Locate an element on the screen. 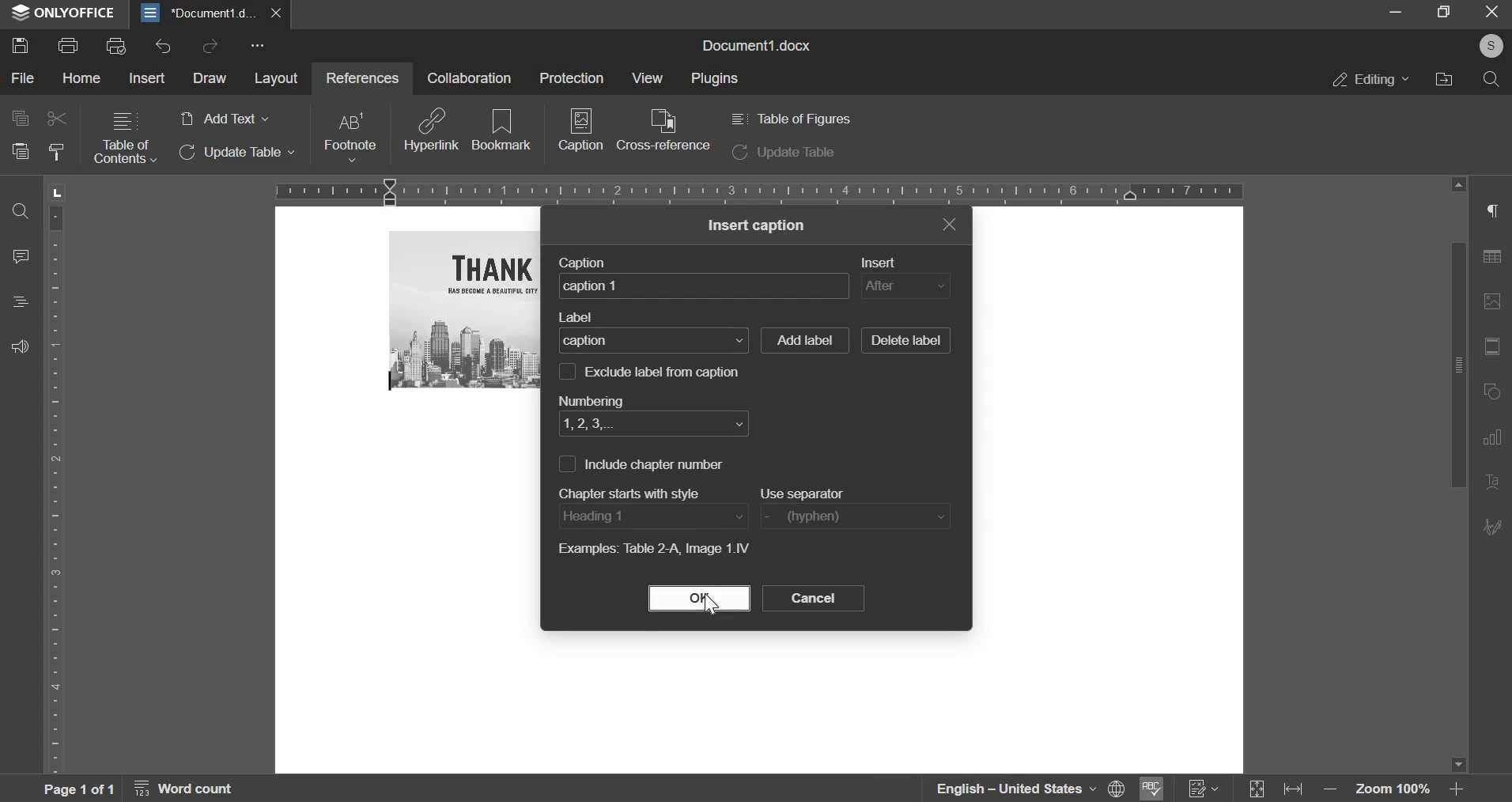  Chart is located at coordinates (1497, 437).